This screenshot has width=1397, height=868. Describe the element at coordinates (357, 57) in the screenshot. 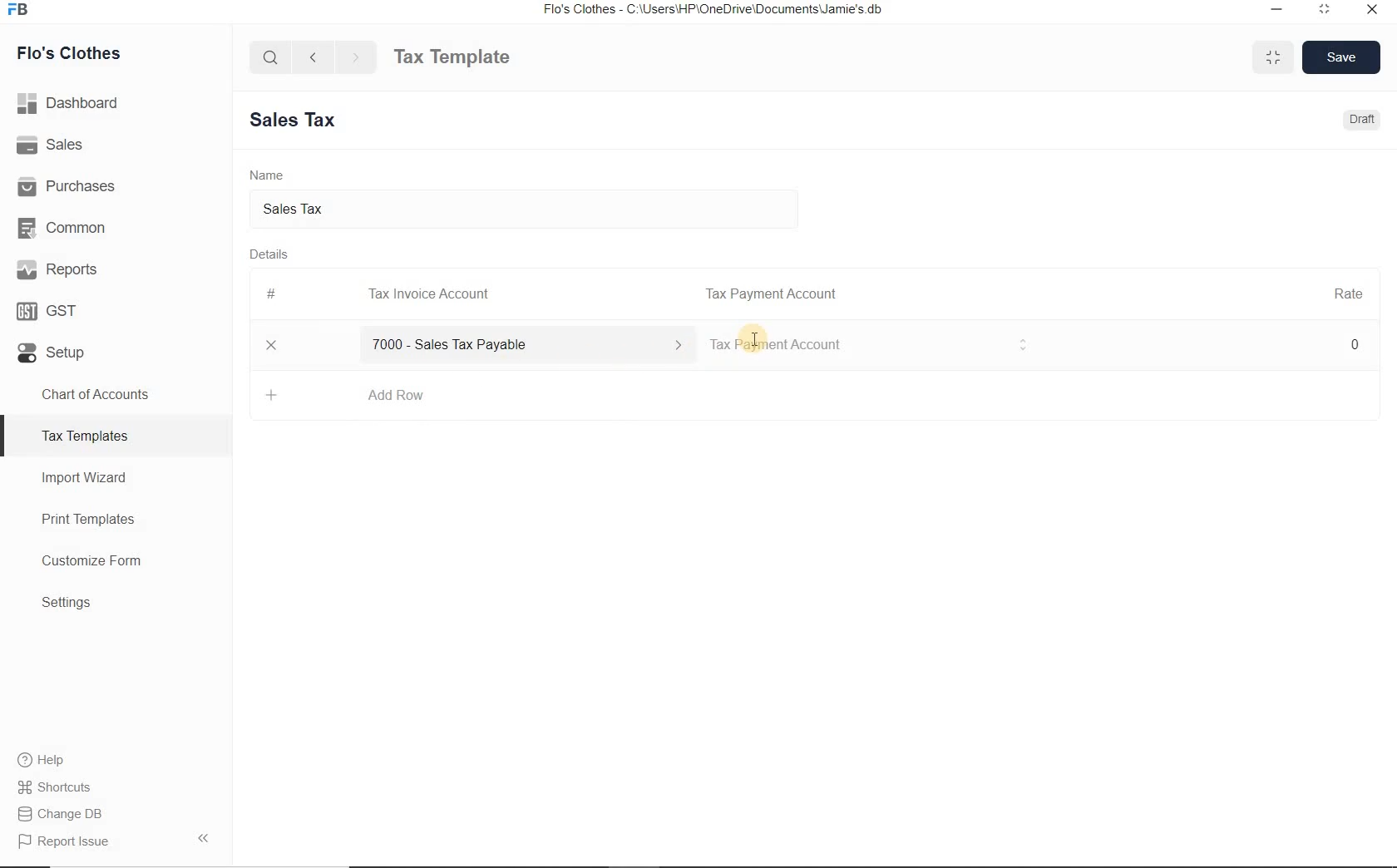

I see `Forward` at that location.